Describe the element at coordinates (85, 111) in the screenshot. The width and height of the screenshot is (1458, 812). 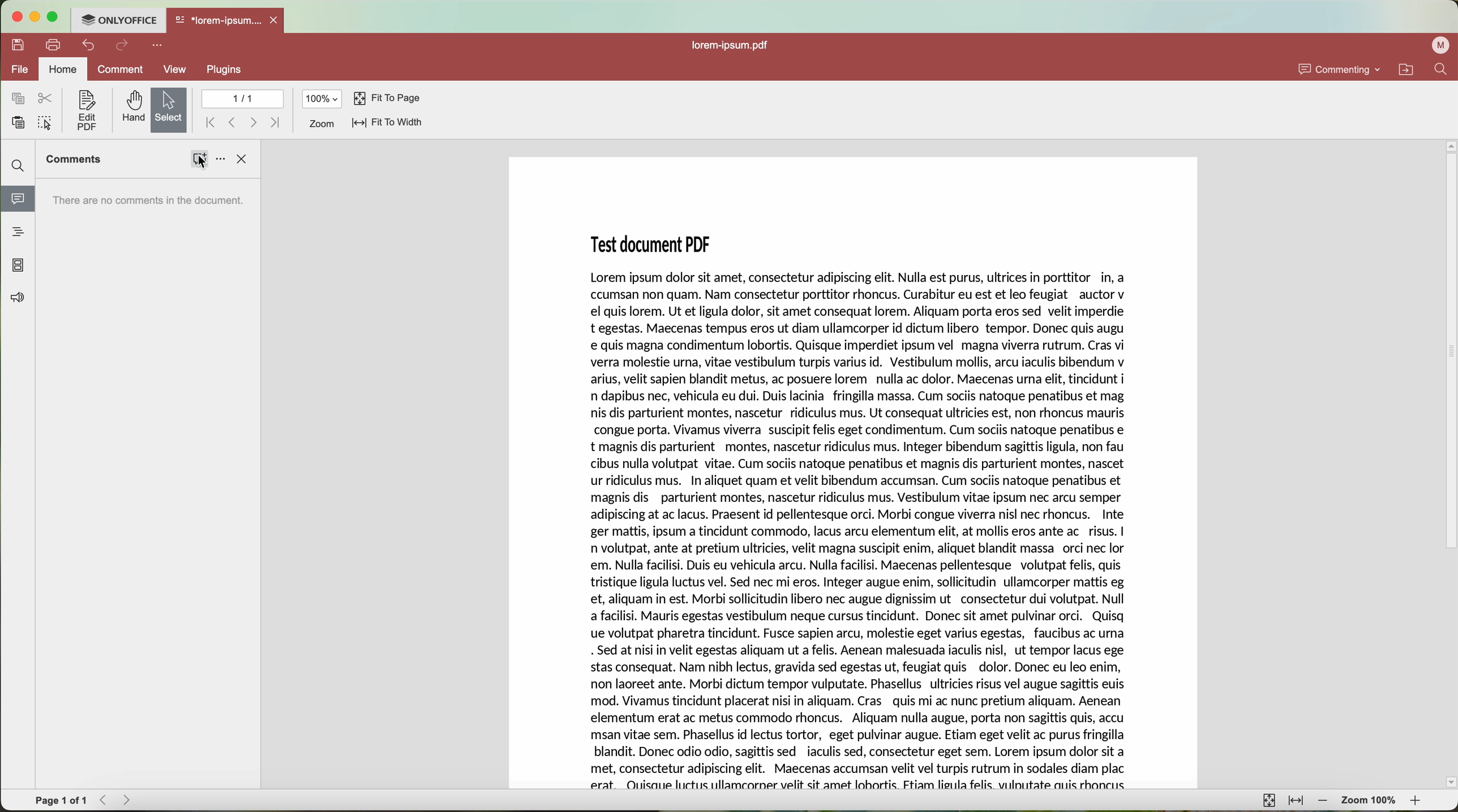
I see `edit PDF` at that location.